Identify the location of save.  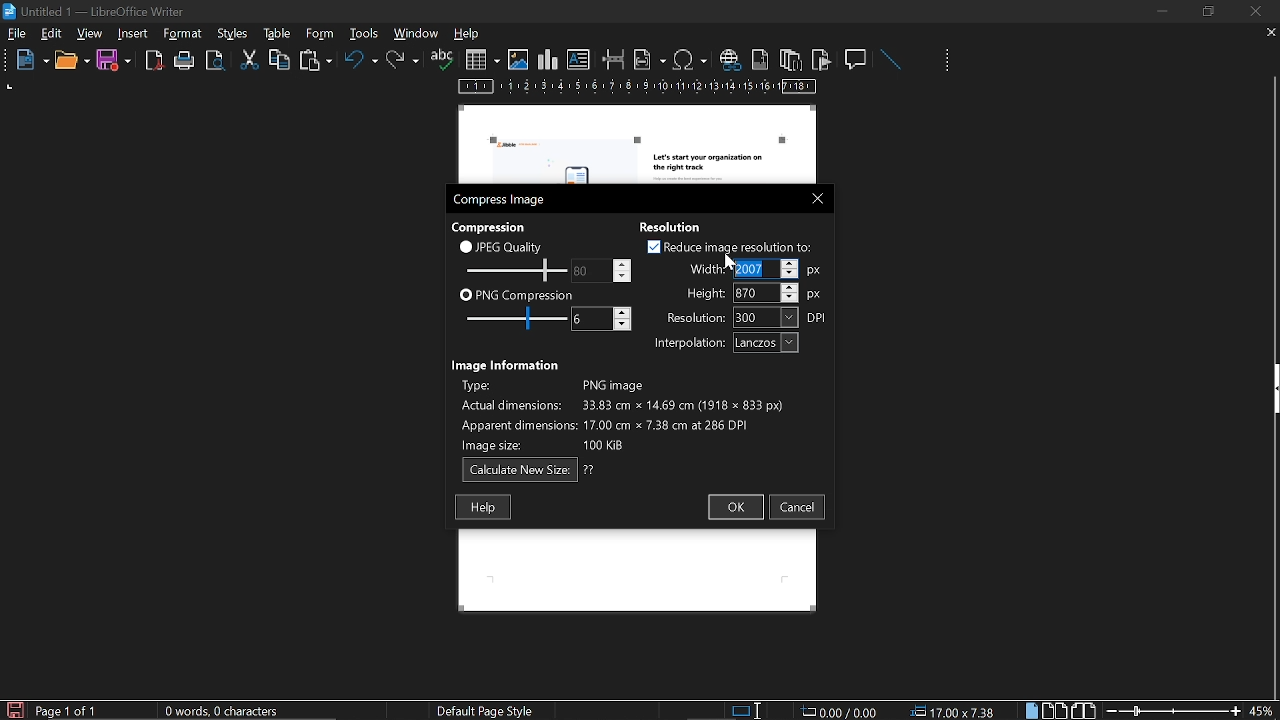
(114, 61).